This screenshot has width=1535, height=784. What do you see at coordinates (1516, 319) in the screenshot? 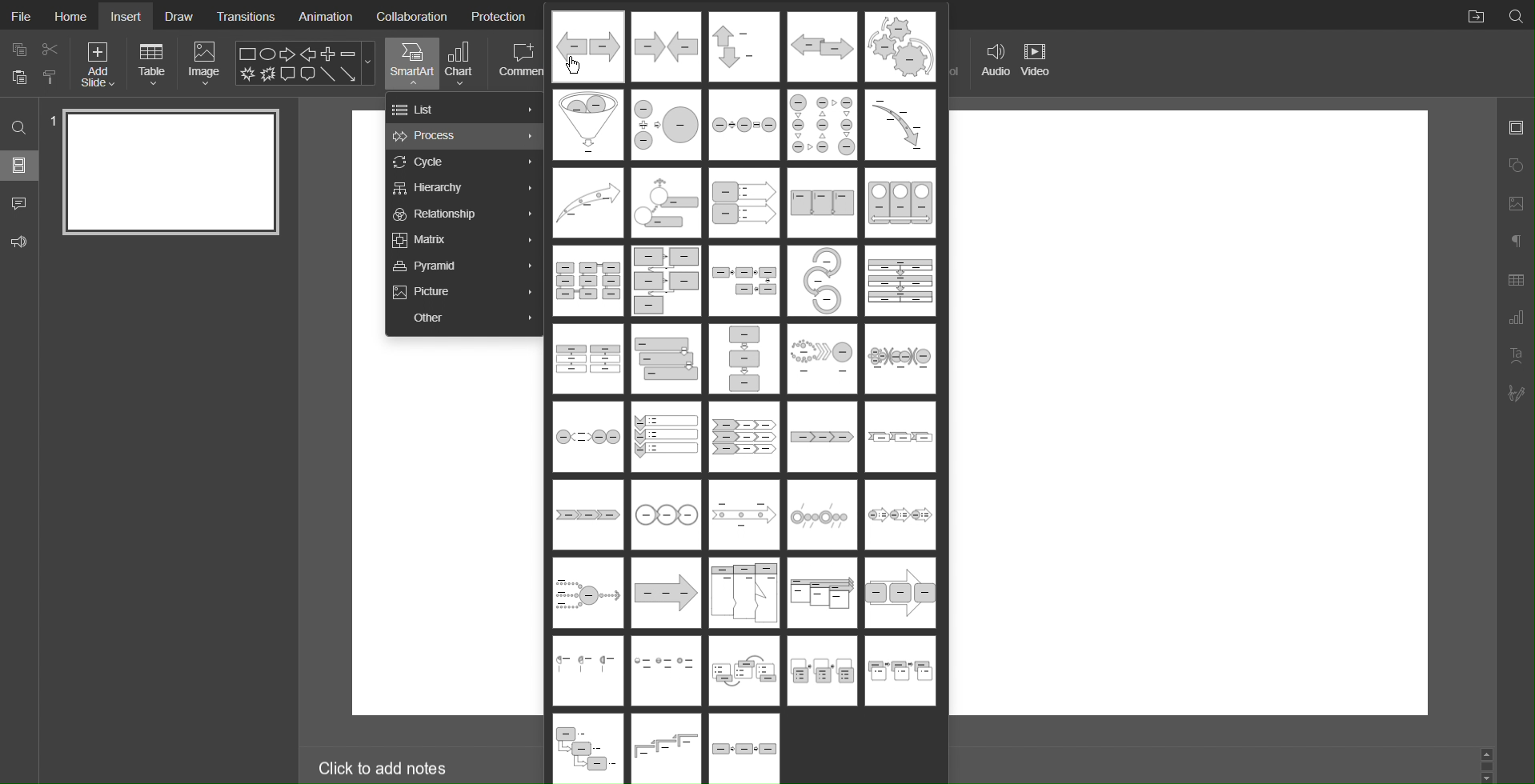
I see `Chart Settings` at bounding box center [1516, 319].